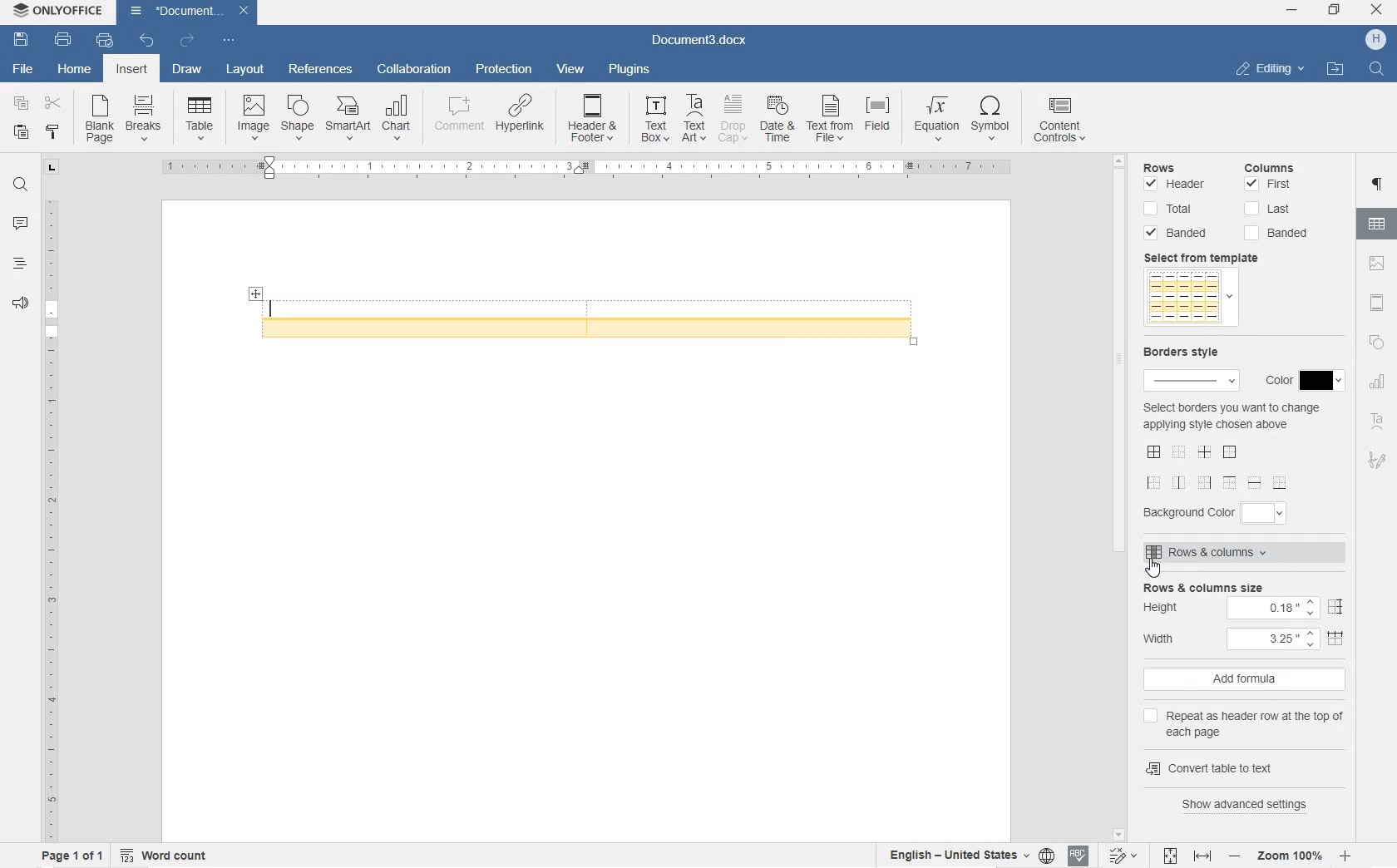 This screenshot has width=1397, height=868. Describe the element at coordinates (186, 40) in the screenshot. I see `REDO` at that location.